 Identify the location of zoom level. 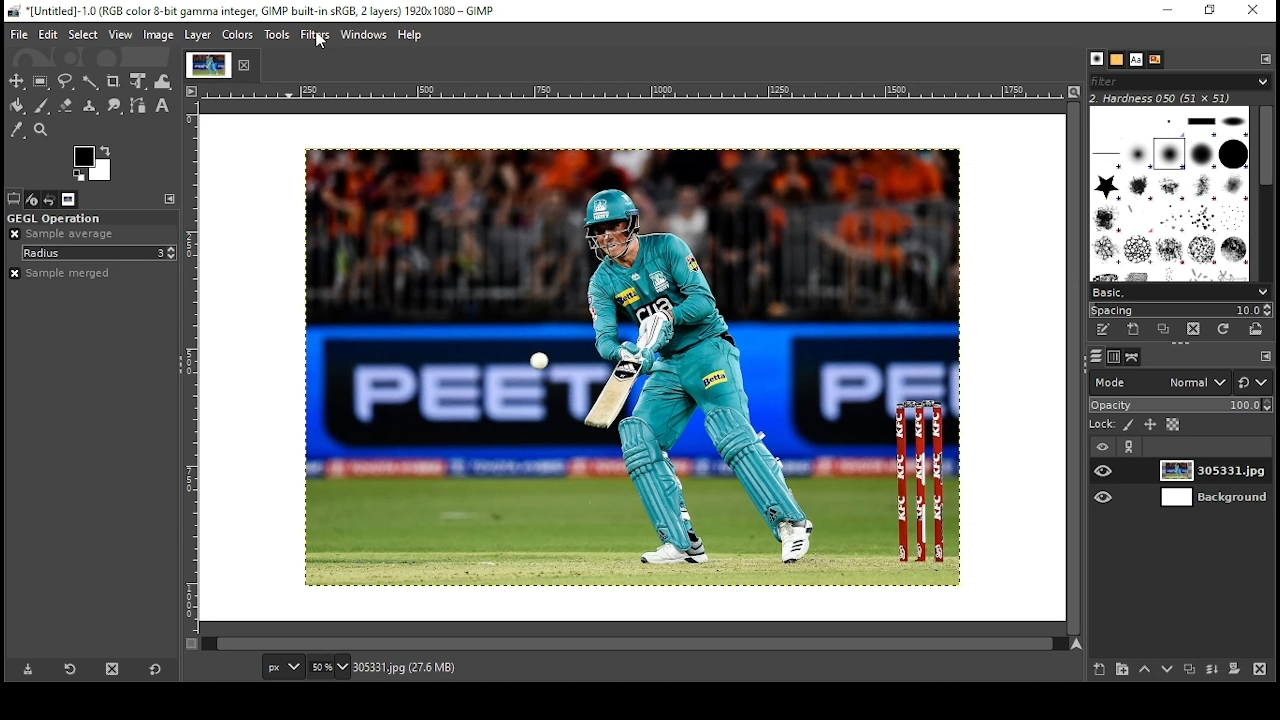
(330, 667).